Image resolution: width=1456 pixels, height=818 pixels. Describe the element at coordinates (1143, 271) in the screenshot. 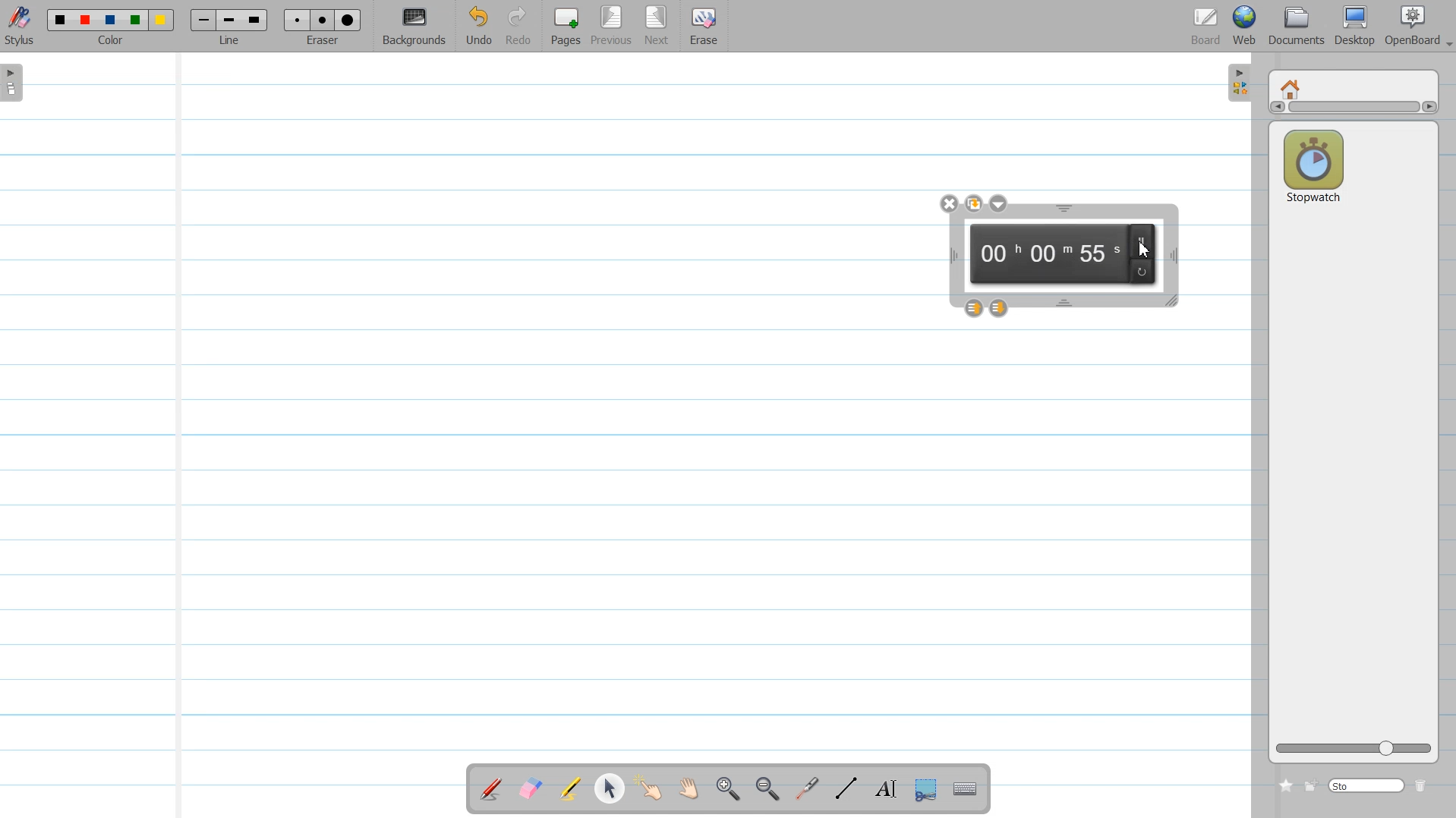

I see `reload` at that location.